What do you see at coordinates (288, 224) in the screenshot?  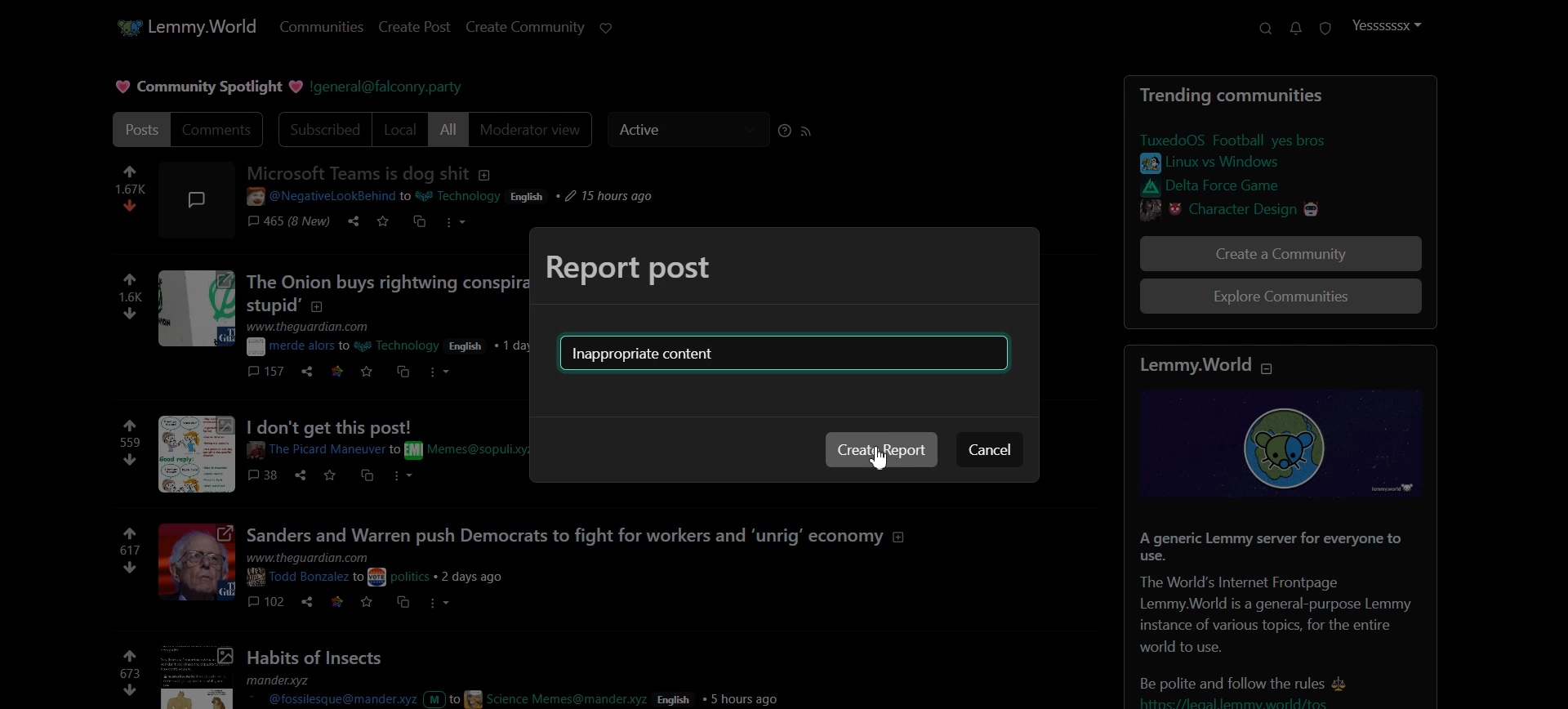 I see `comments` at bounding box center [288, 224].